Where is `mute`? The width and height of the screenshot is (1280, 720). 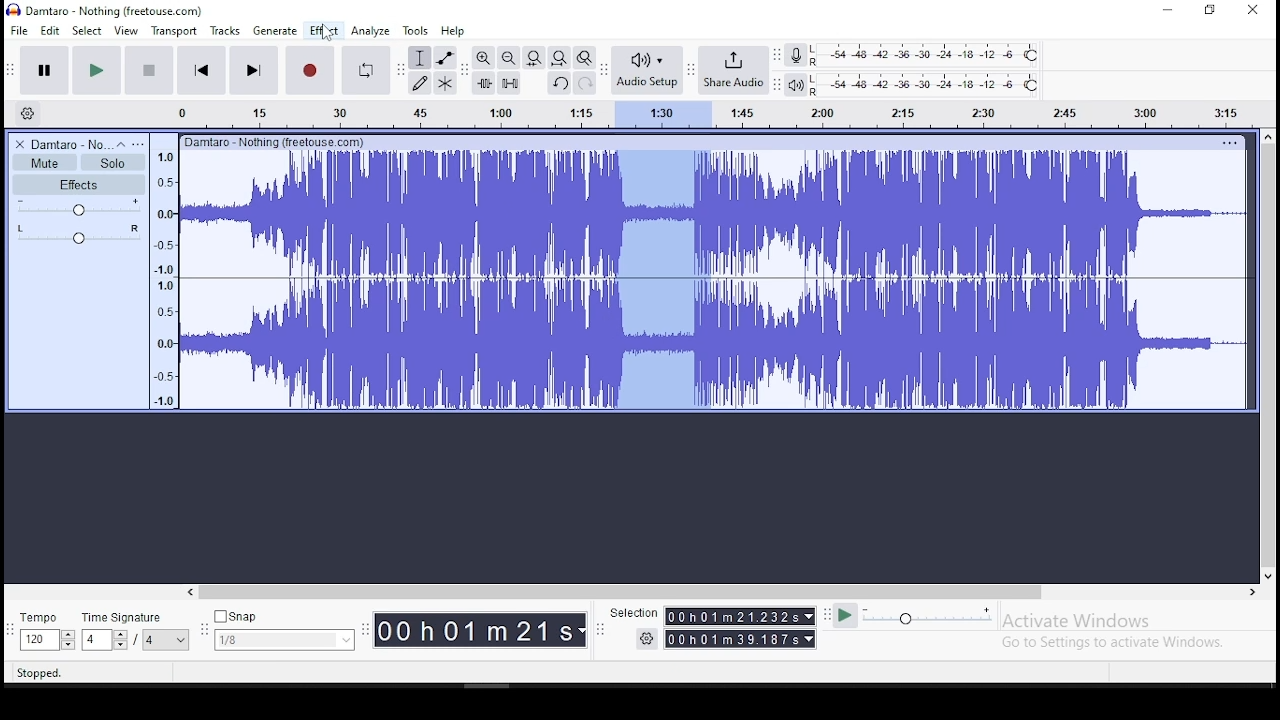
mute is located at coordinates (44, 163).